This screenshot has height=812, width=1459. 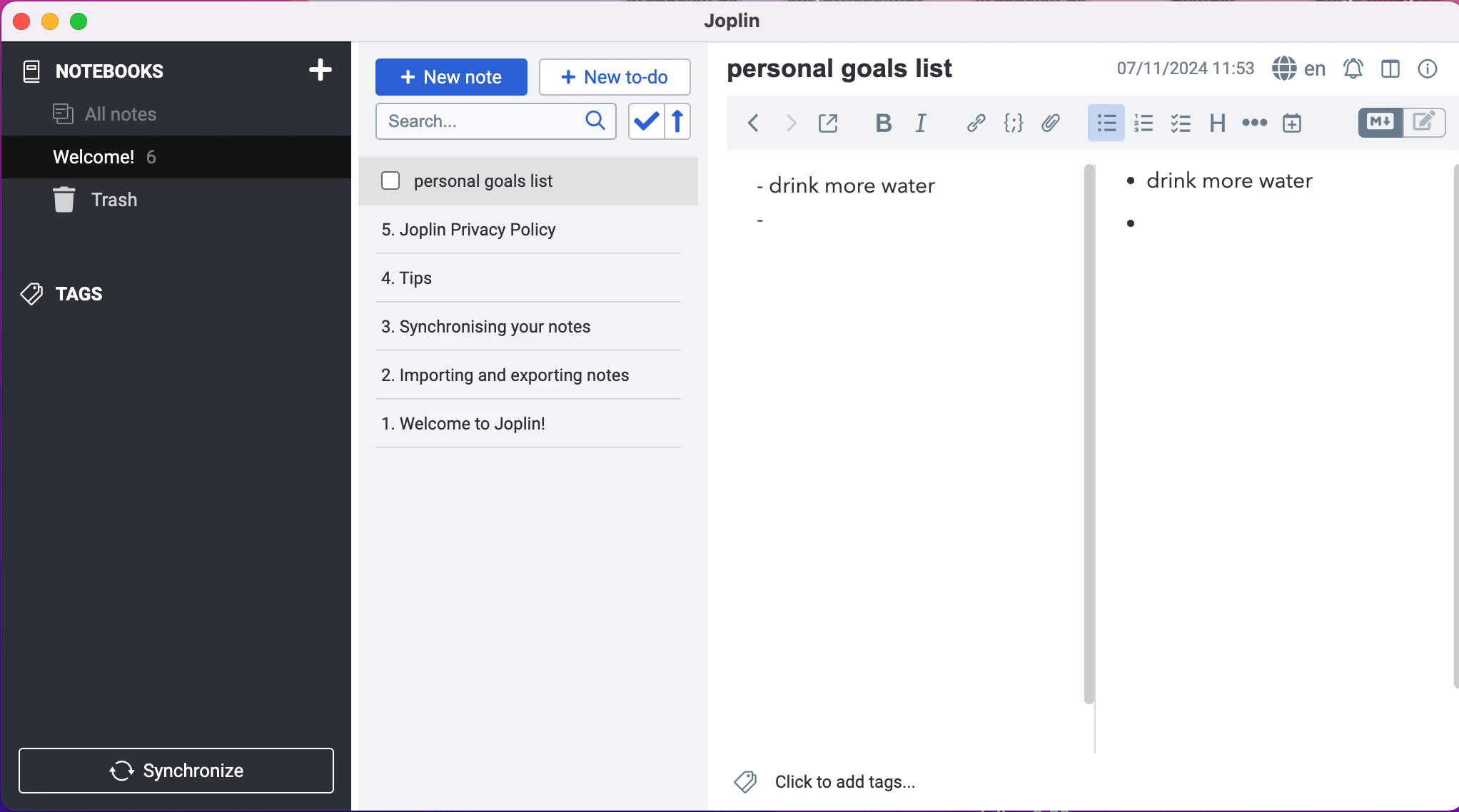 What do you see at coordinates (475, 423) in the screenshot?
I see `Welcome to Joplin!` at bounding box center [475, 423].